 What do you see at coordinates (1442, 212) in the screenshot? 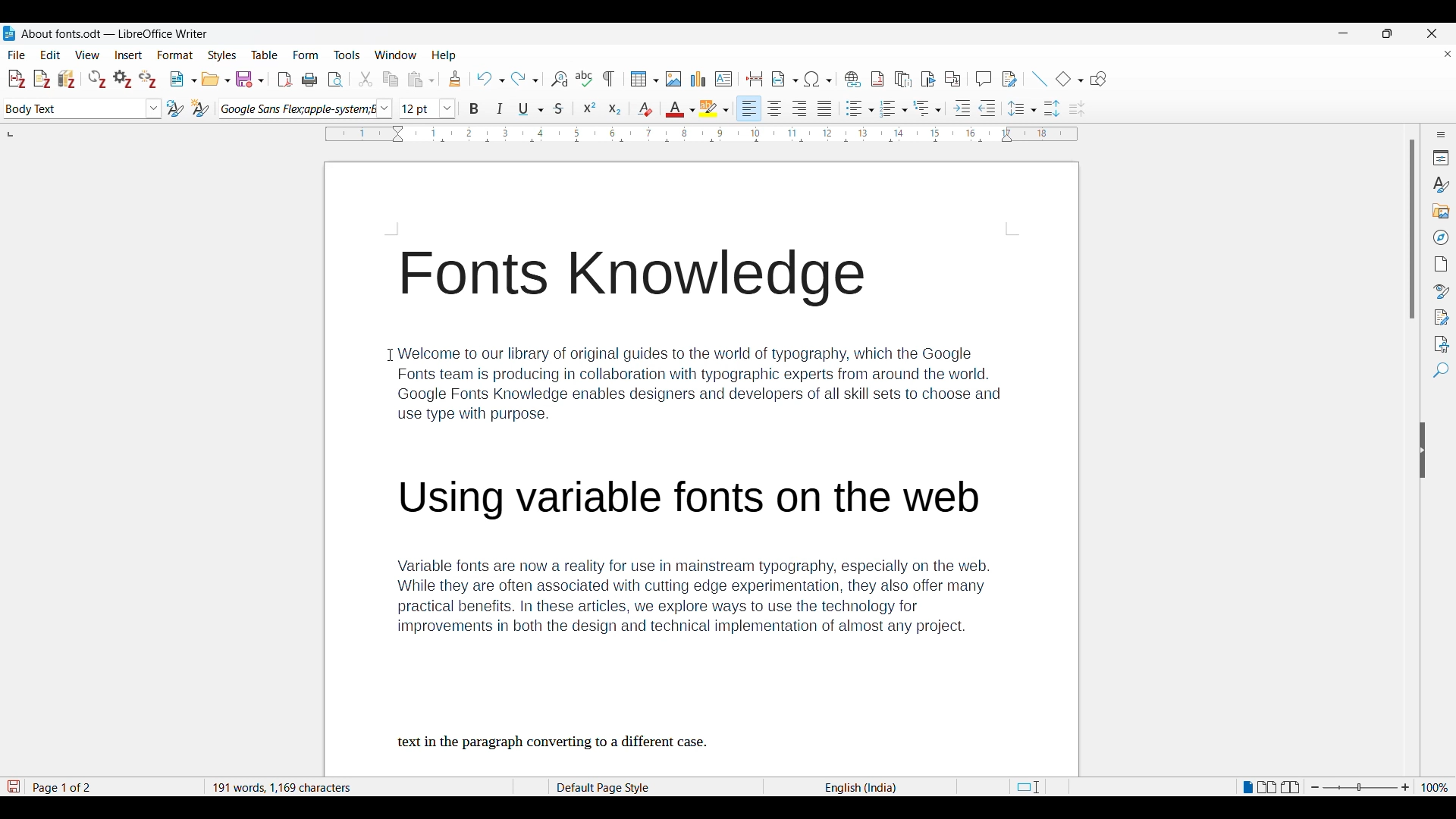
I see `Gallery` at bounding box center [1442, 212].